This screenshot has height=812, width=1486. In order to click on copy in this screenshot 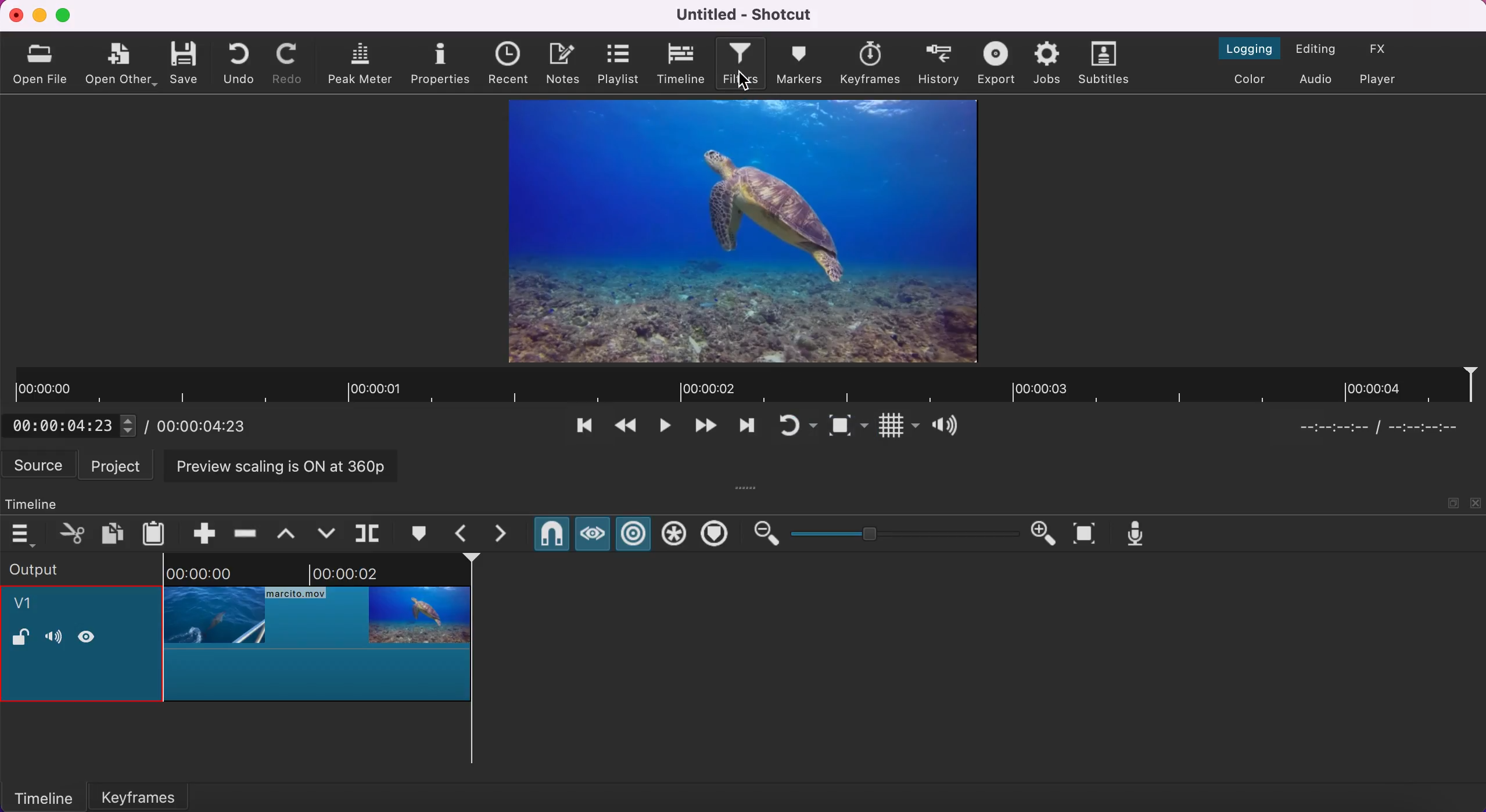, I will do `click(114, 532)`.